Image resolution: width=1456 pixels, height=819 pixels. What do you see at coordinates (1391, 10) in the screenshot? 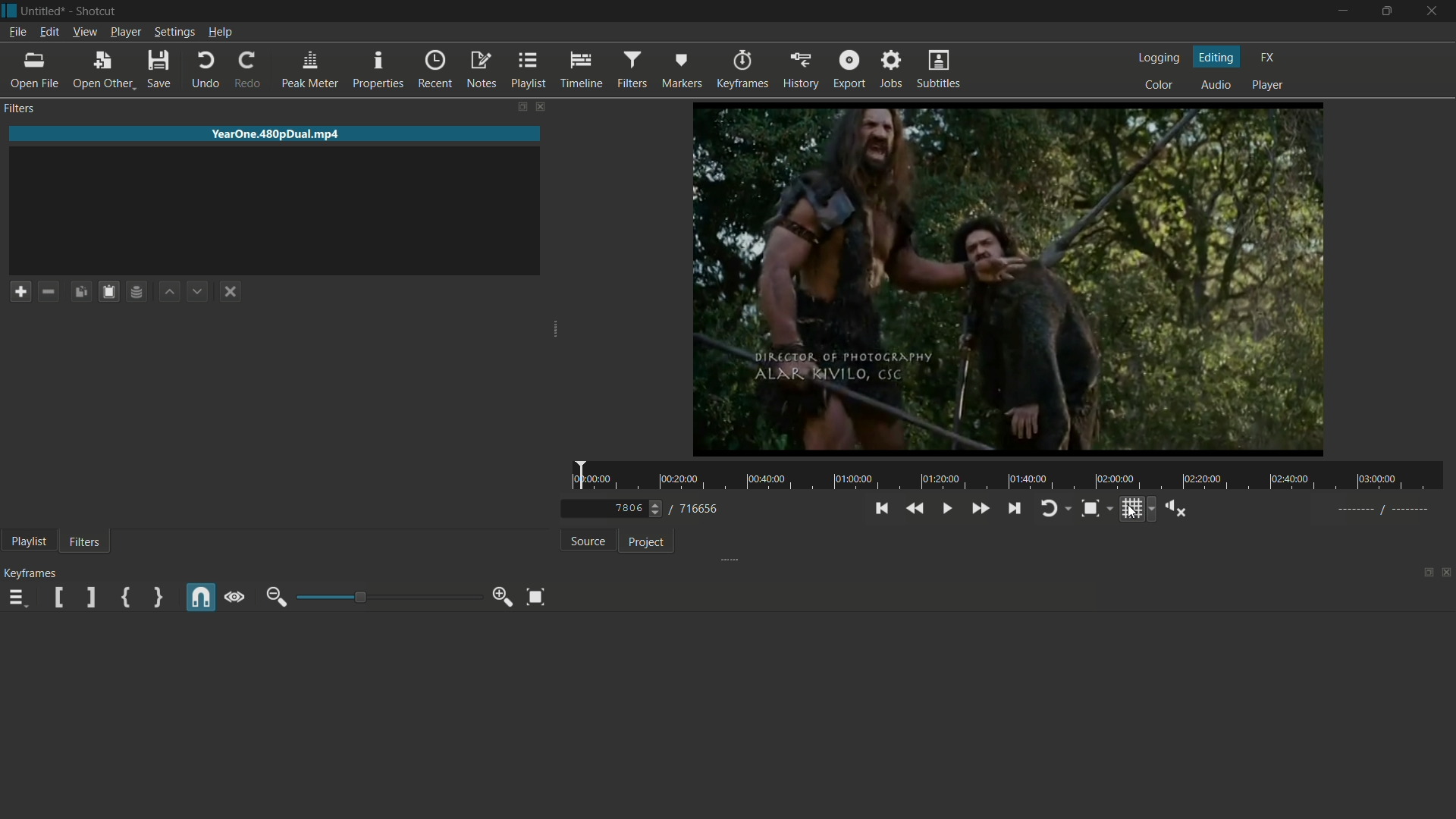
I see `maximize` at bounding box center [1391, 10].